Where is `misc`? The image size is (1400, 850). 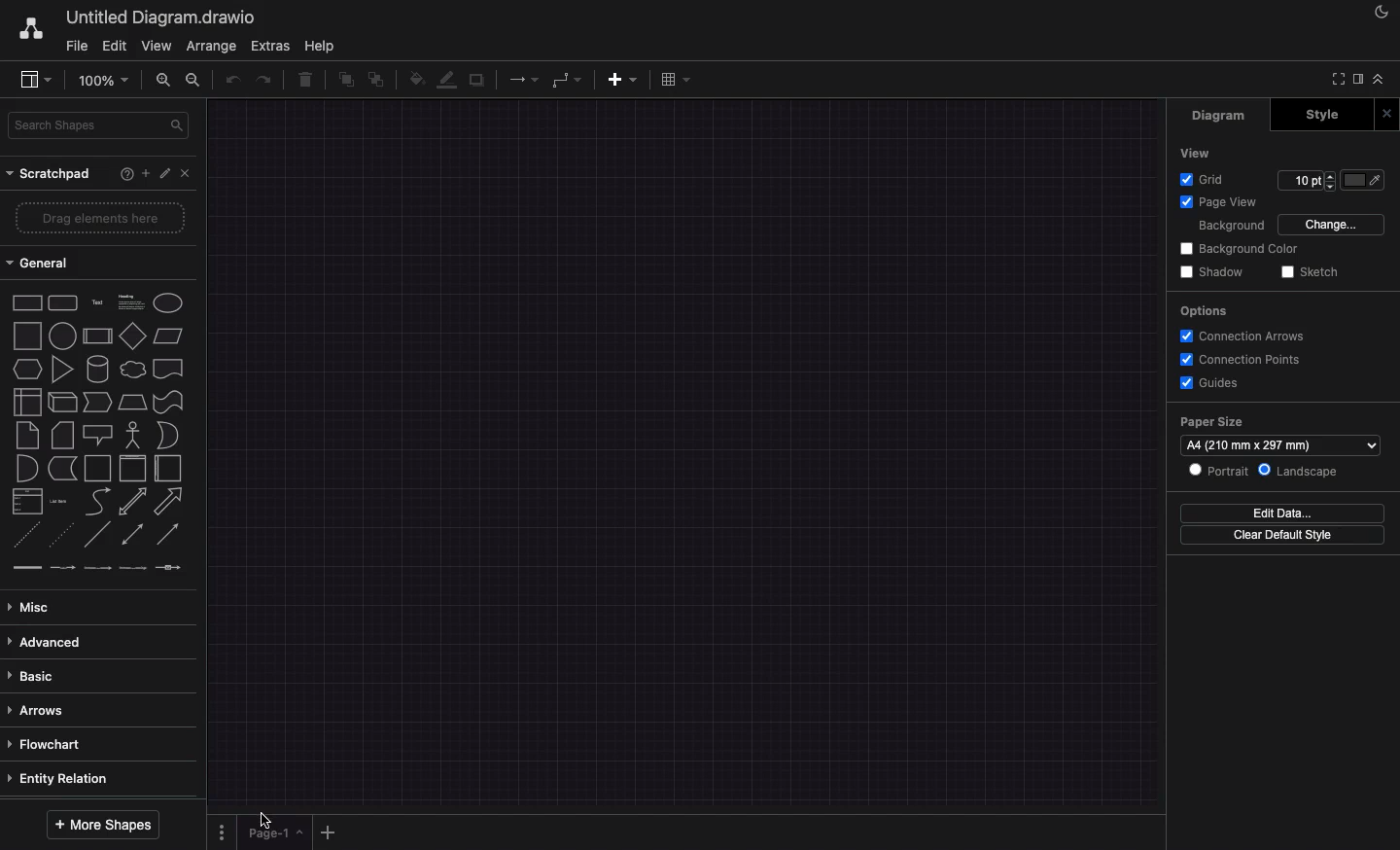 misc is located at coordinates (32, 608).